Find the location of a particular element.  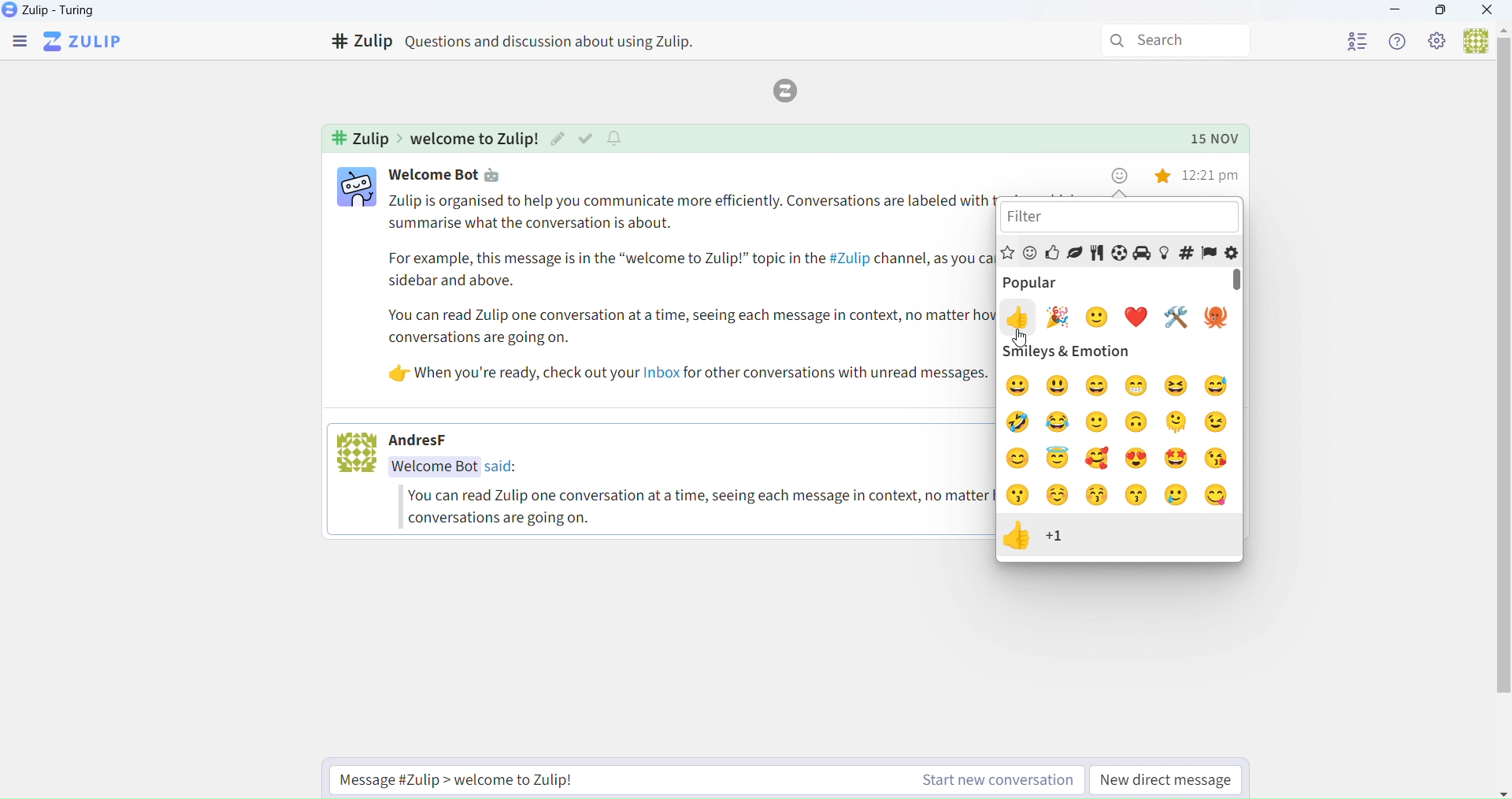

starry eyes is located at coordinates (1182, 460).